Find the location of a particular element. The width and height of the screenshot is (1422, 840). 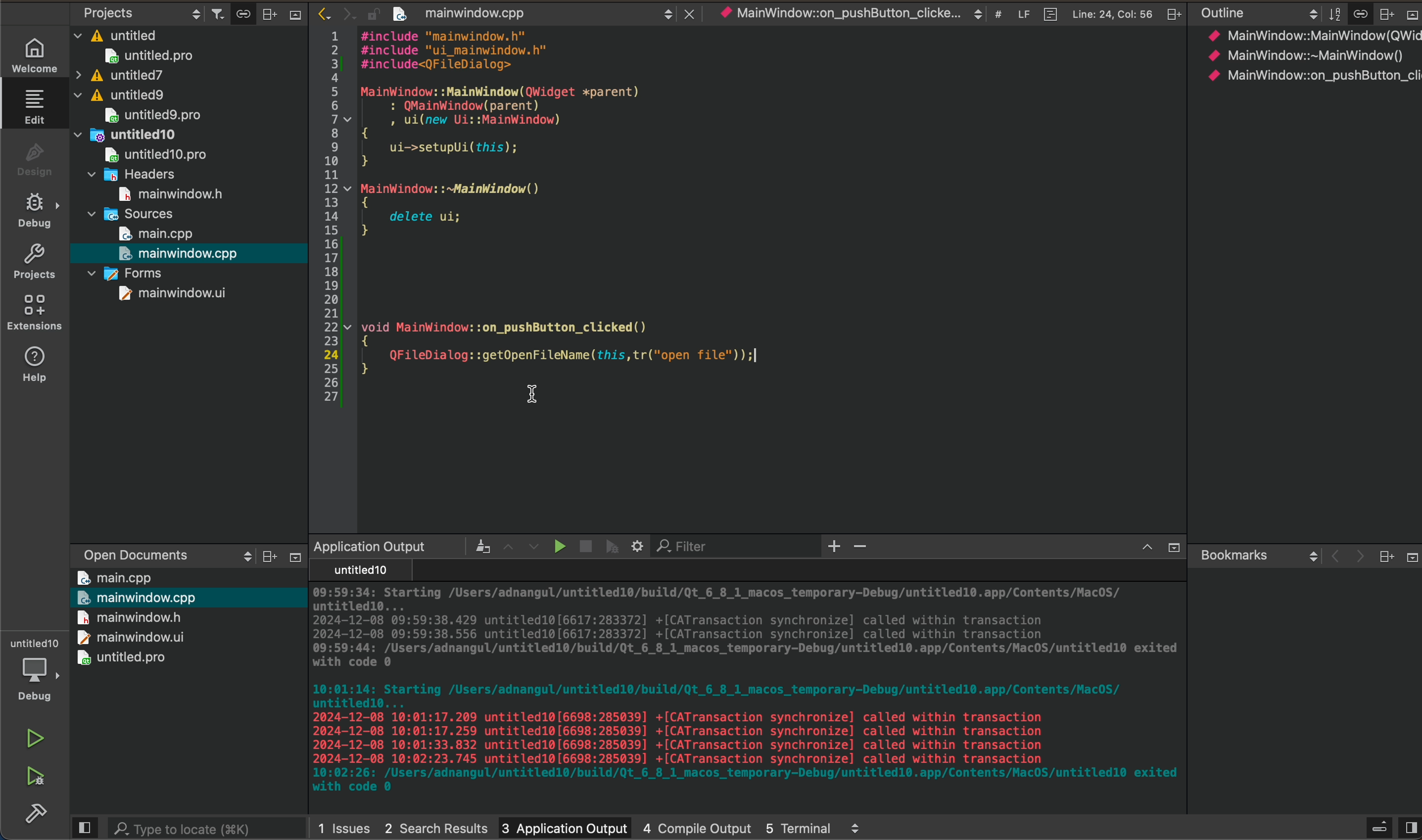

 is located at coordinates (1409, 556).